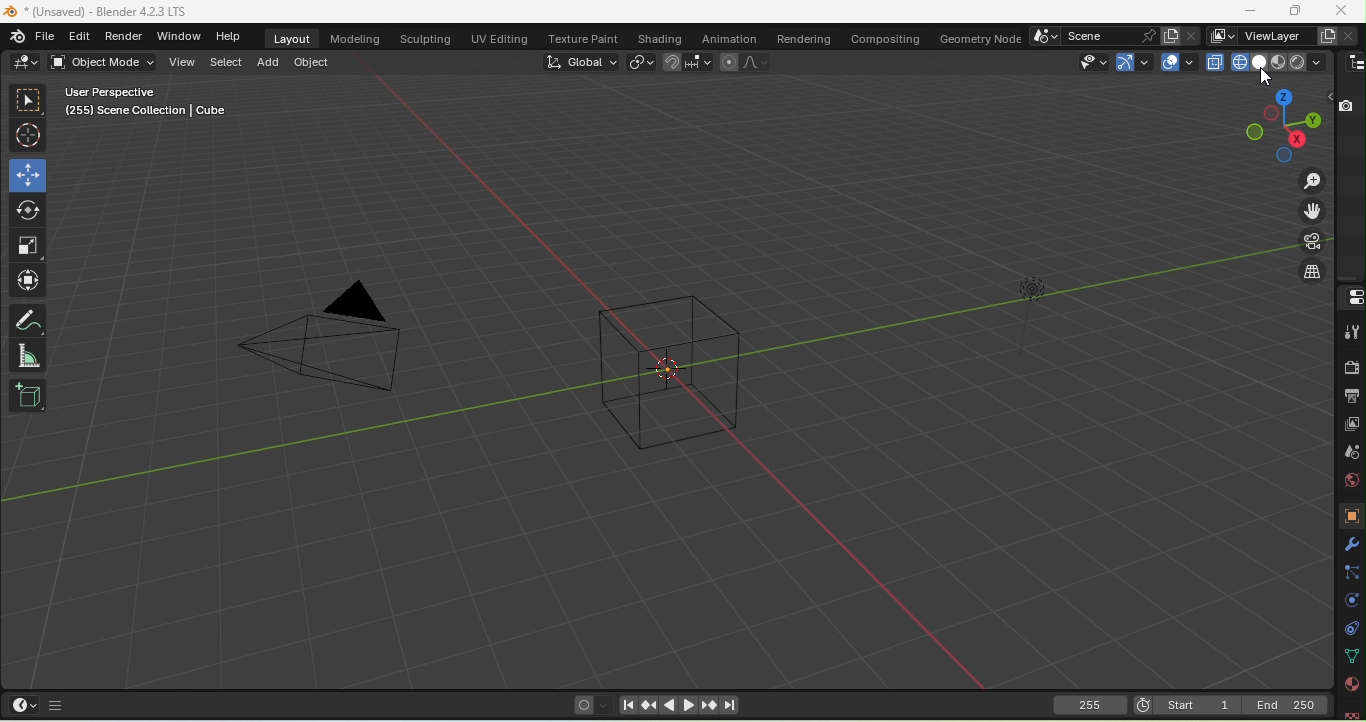 The width and height of the screenshot is (1366, 722). What do you see at coordinates (1308, 273) in the screenshot?
I see `Switch the current view from perspective/orthographic projection` at bounding box center [1308, 273].